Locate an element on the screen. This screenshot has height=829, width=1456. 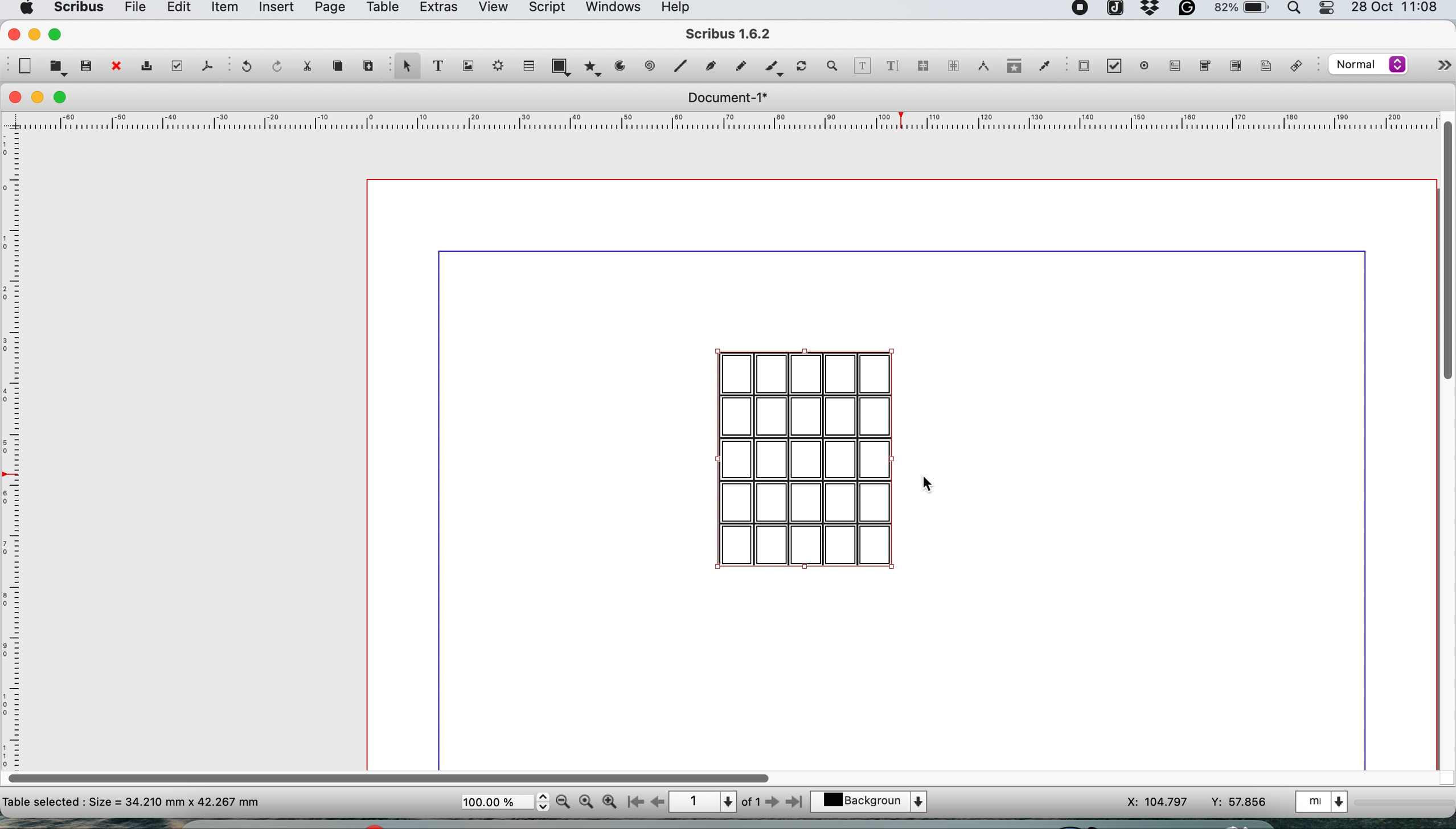
joplin is located at coordinates (1114, 10).